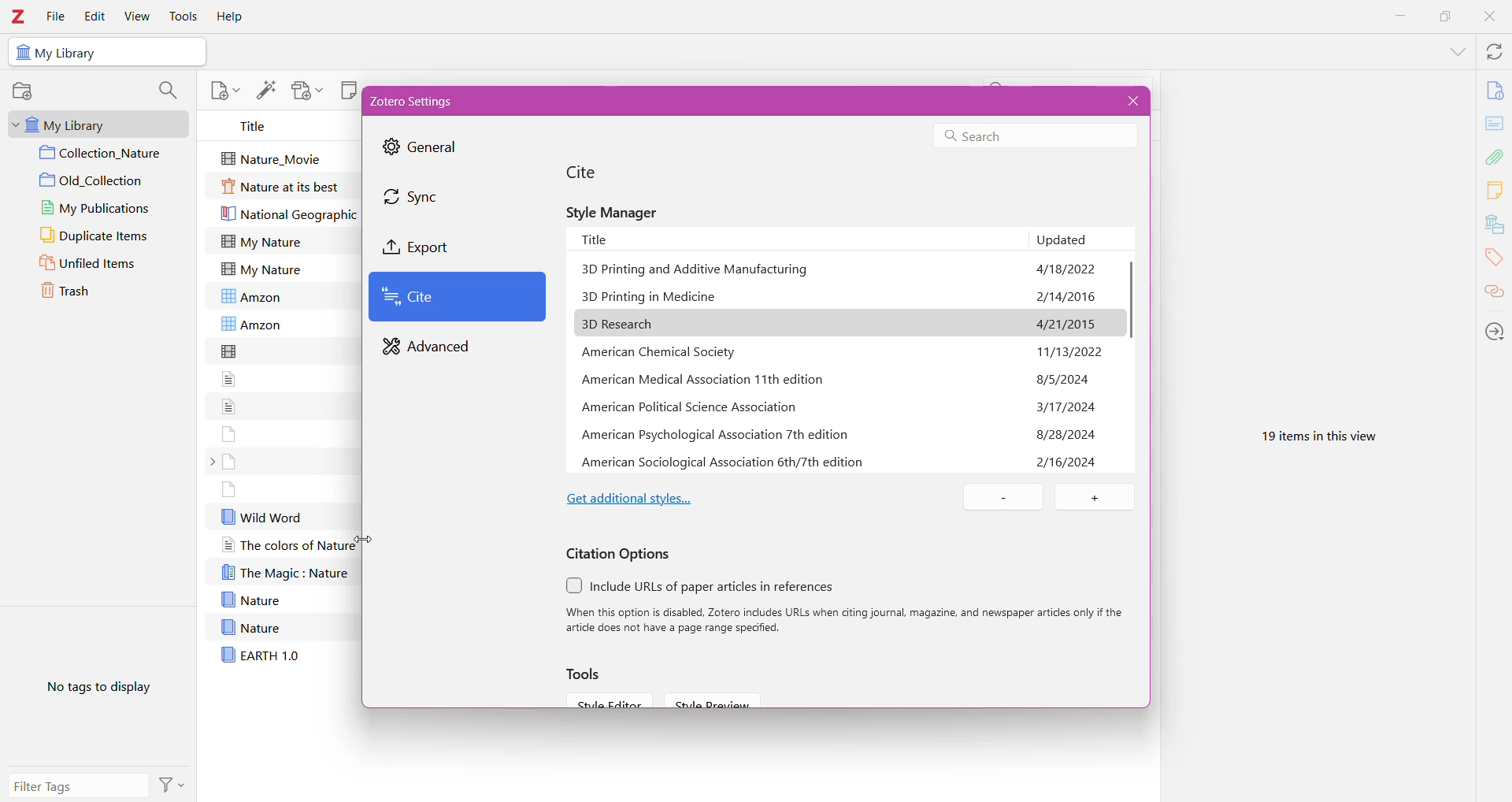  Describe the element at coordinates (229, 433) in the screenshot. I see `file without title` at that location.